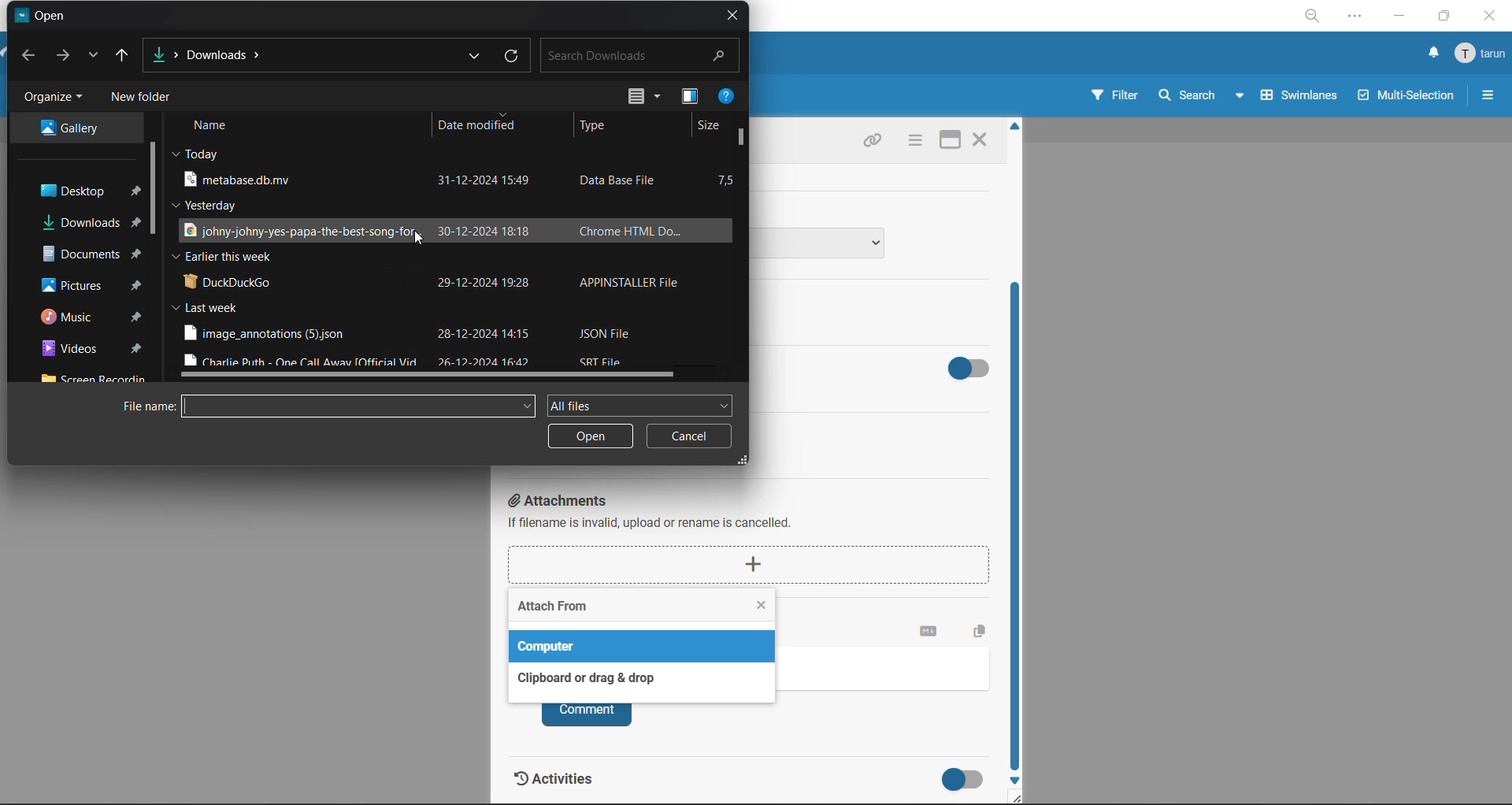  I want to click on videos, so click(72, 351).